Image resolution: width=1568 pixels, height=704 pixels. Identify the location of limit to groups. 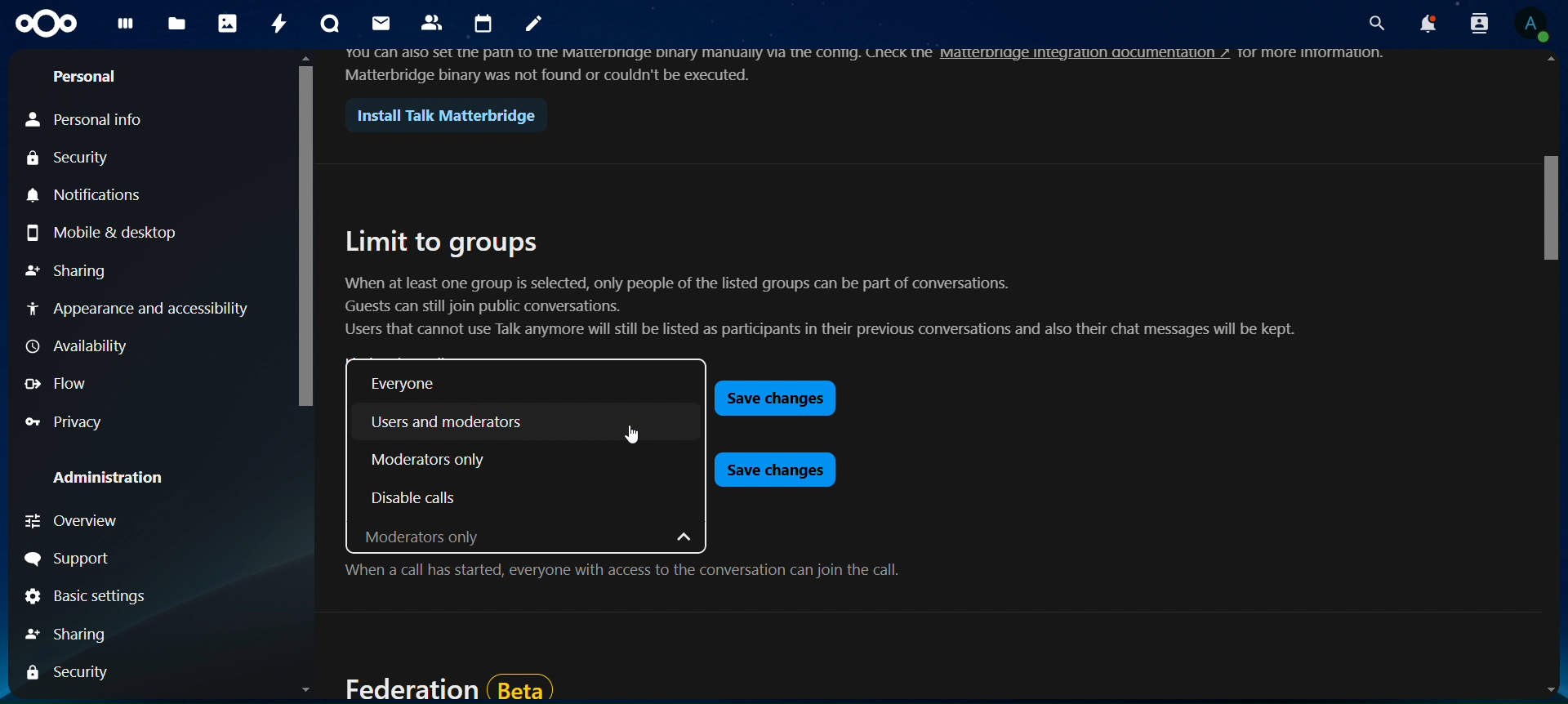
(835, 284).